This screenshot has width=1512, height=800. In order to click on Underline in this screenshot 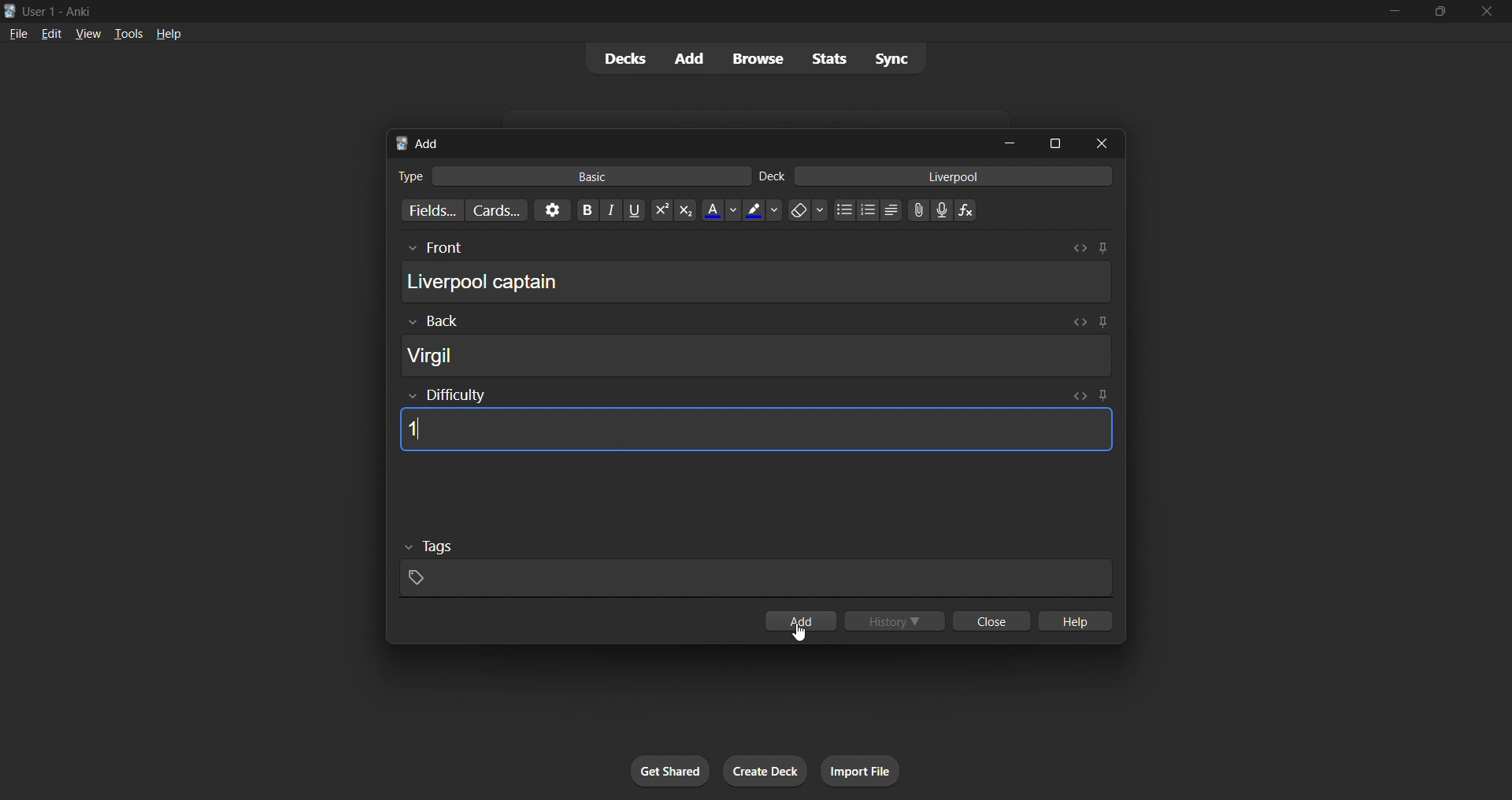, I will do `click(634, 210)`.